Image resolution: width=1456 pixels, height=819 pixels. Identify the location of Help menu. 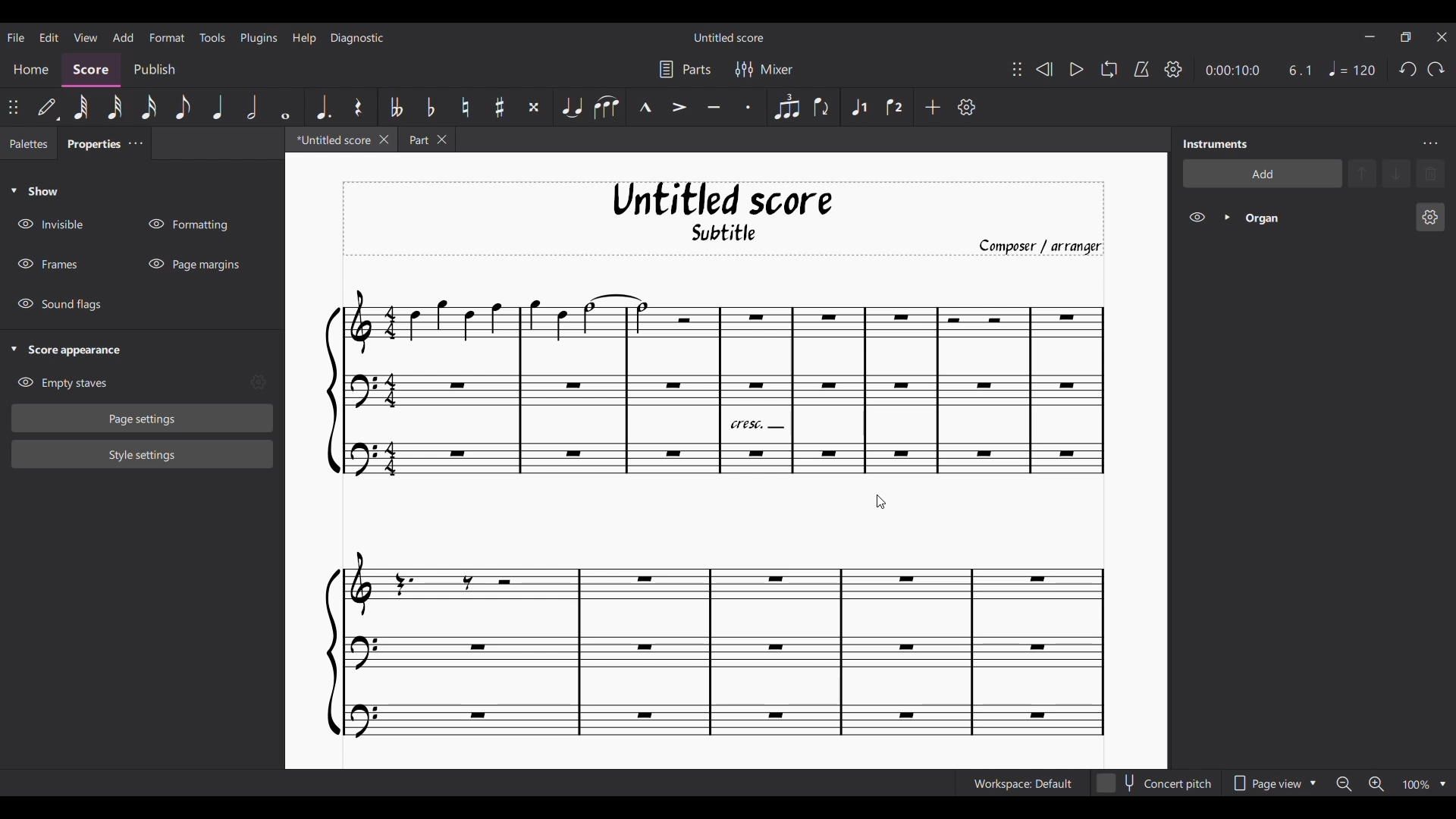
(303, 38).